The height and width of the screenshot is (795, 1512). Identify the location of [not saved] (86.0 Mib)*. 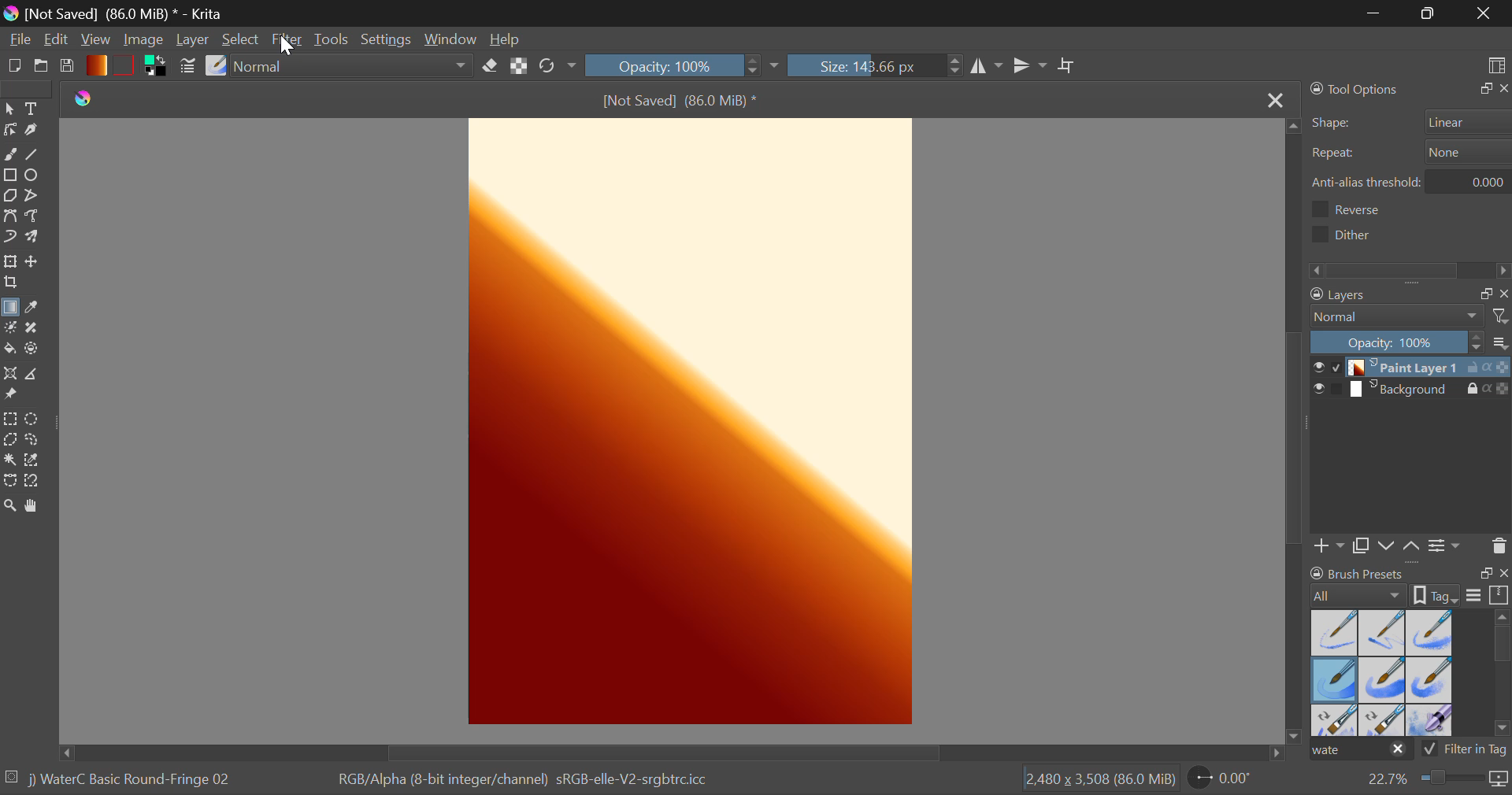
(682, 99).